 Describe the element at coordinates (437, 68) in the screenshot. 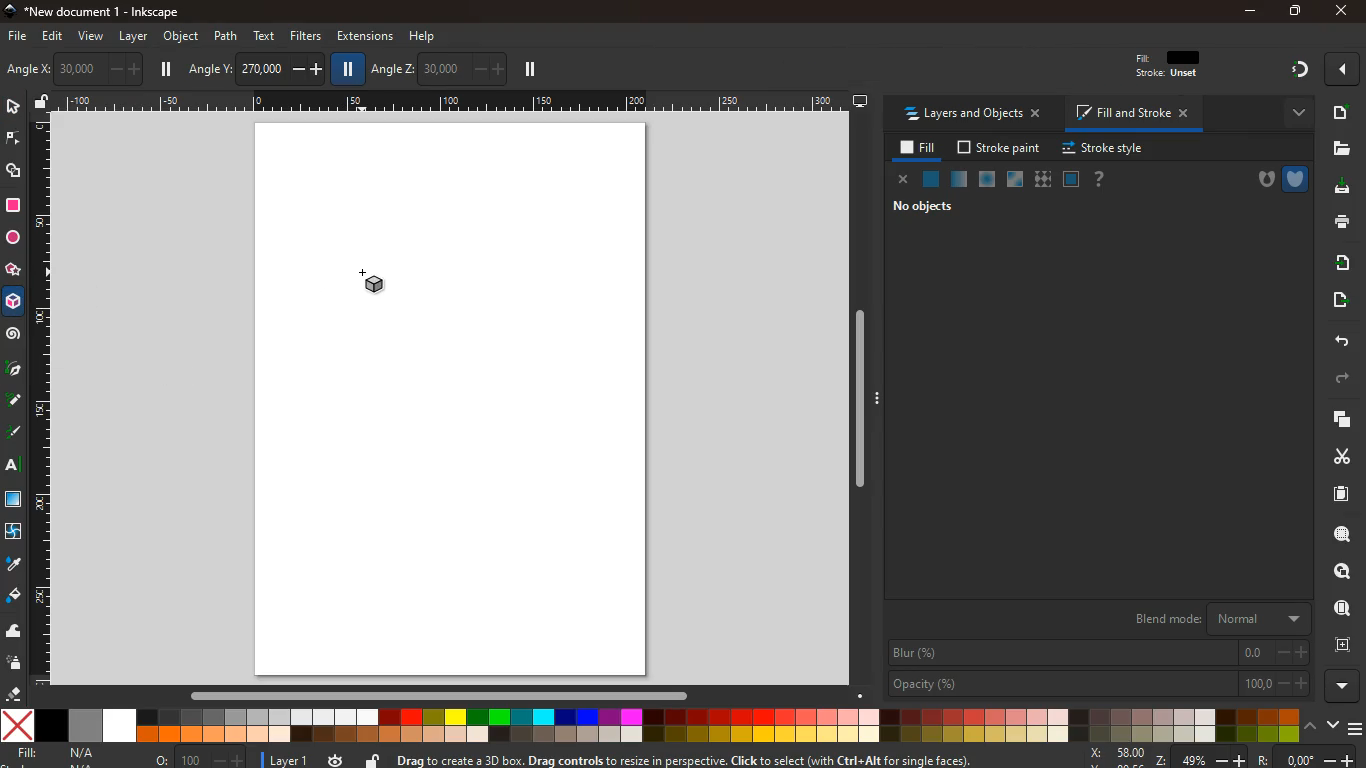

I see `angle z` at that location.